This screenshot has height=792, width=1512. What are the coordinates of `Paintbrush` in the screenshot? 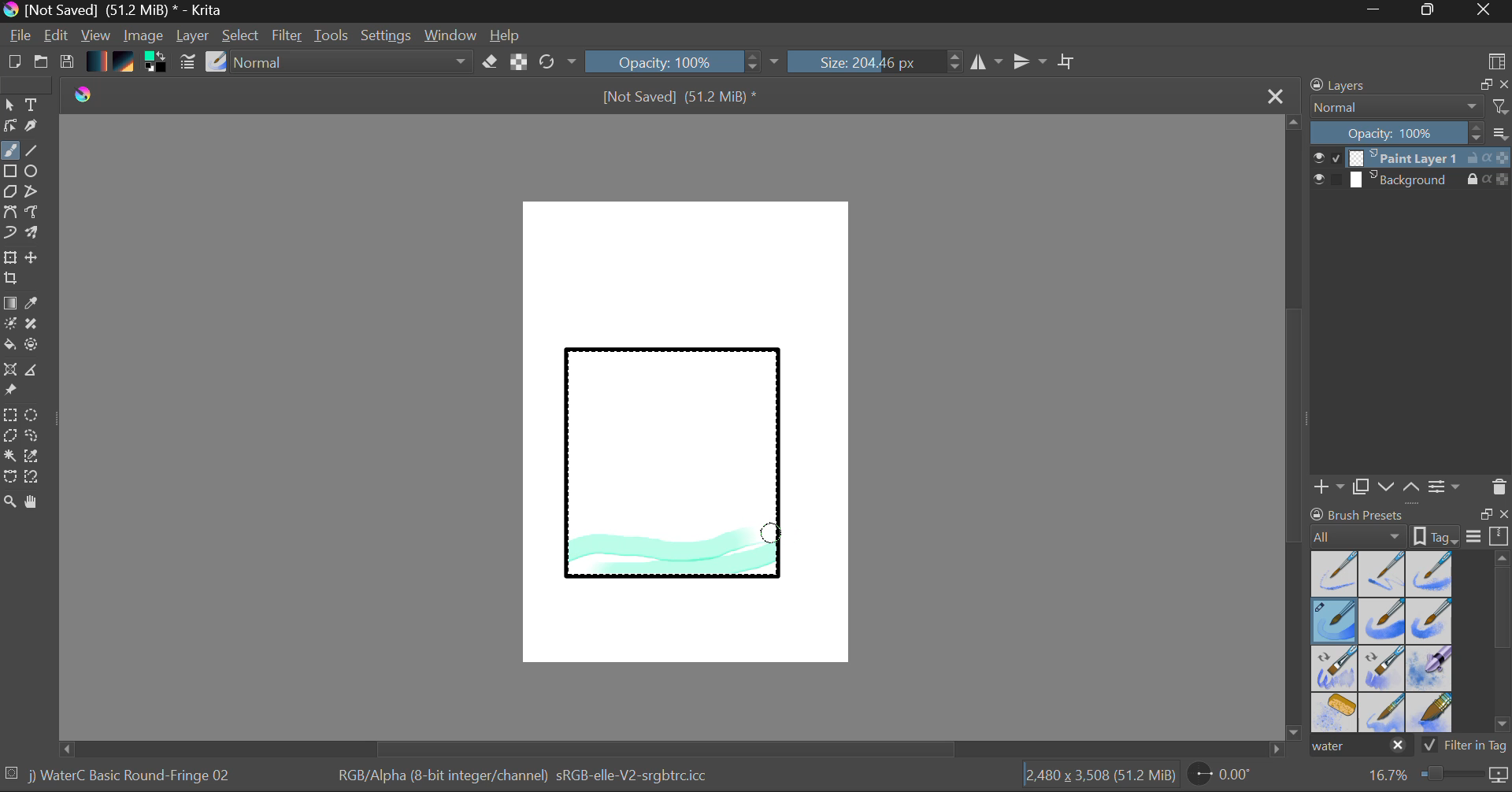 It's located at (9, 152).